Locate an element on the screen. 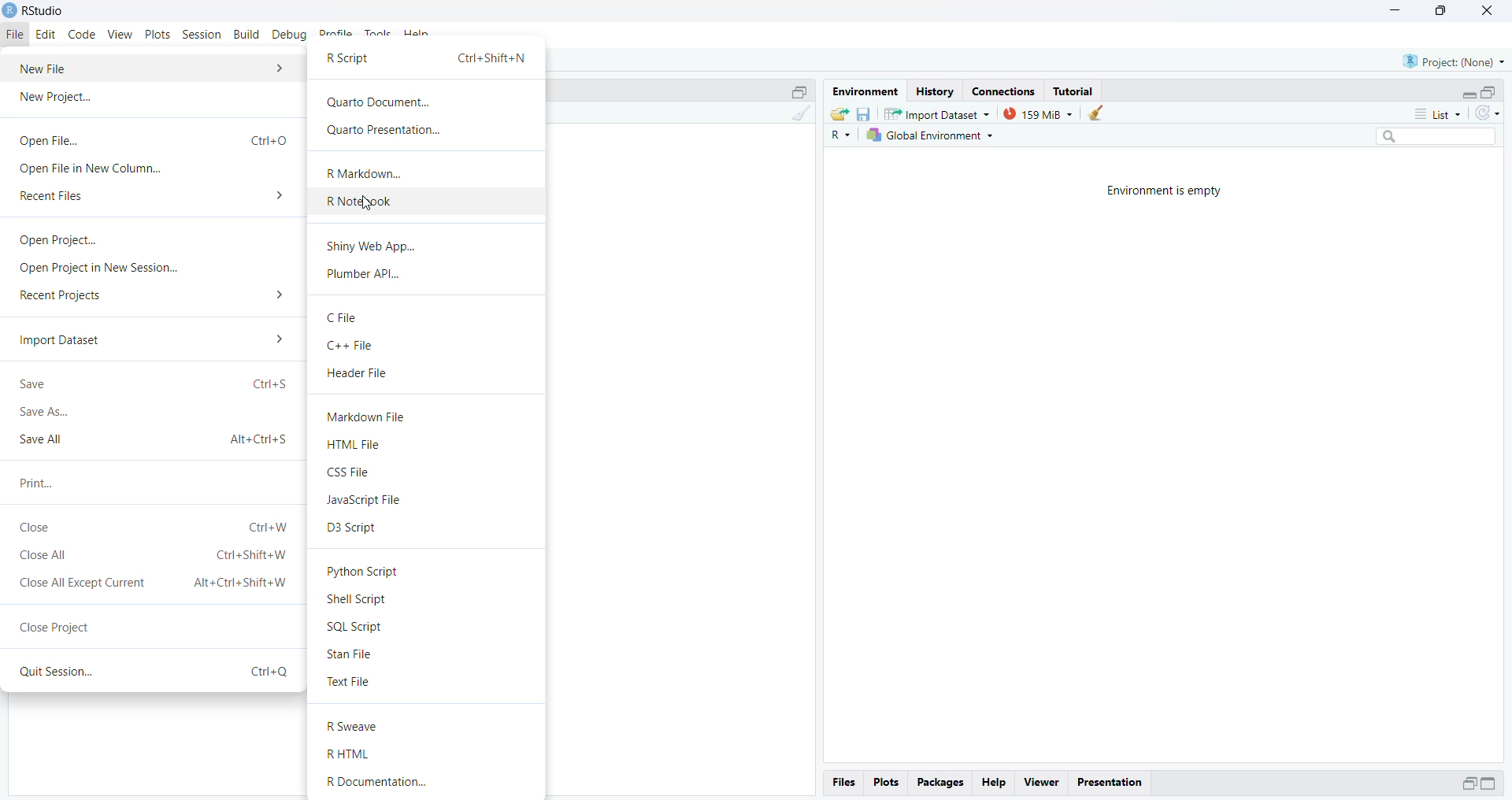  search is located at coordinates (1430, 139).